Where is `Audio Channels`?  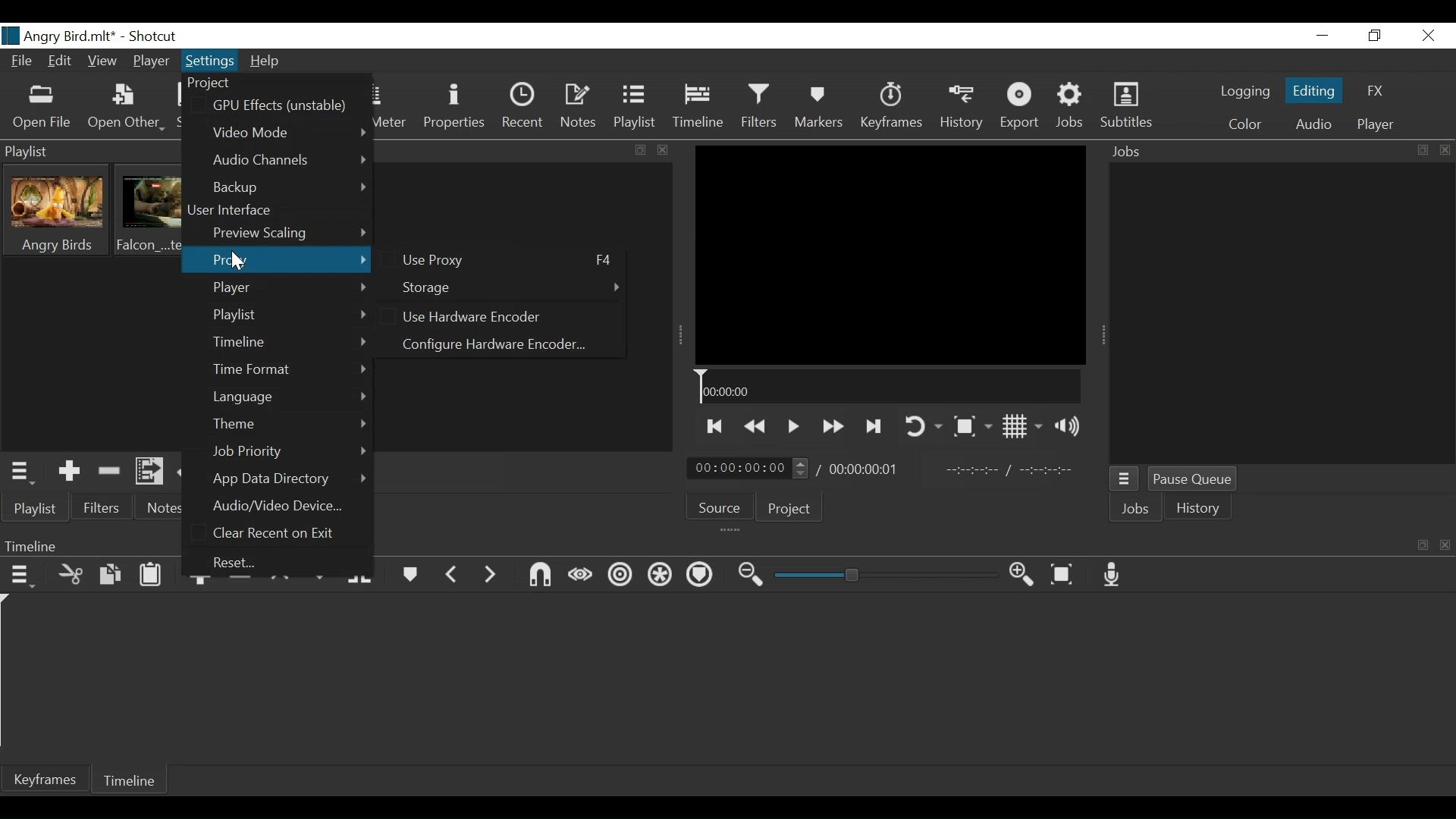
Audio Channels is located at coordinates (288, 161).